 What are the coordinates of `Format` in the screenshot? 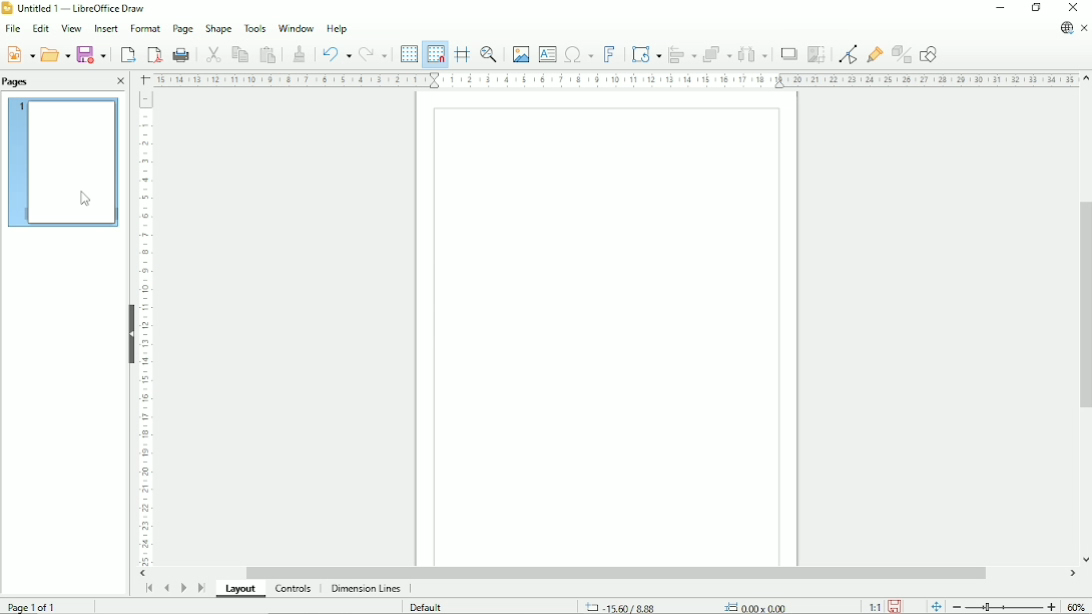 It's located at (144, 29).